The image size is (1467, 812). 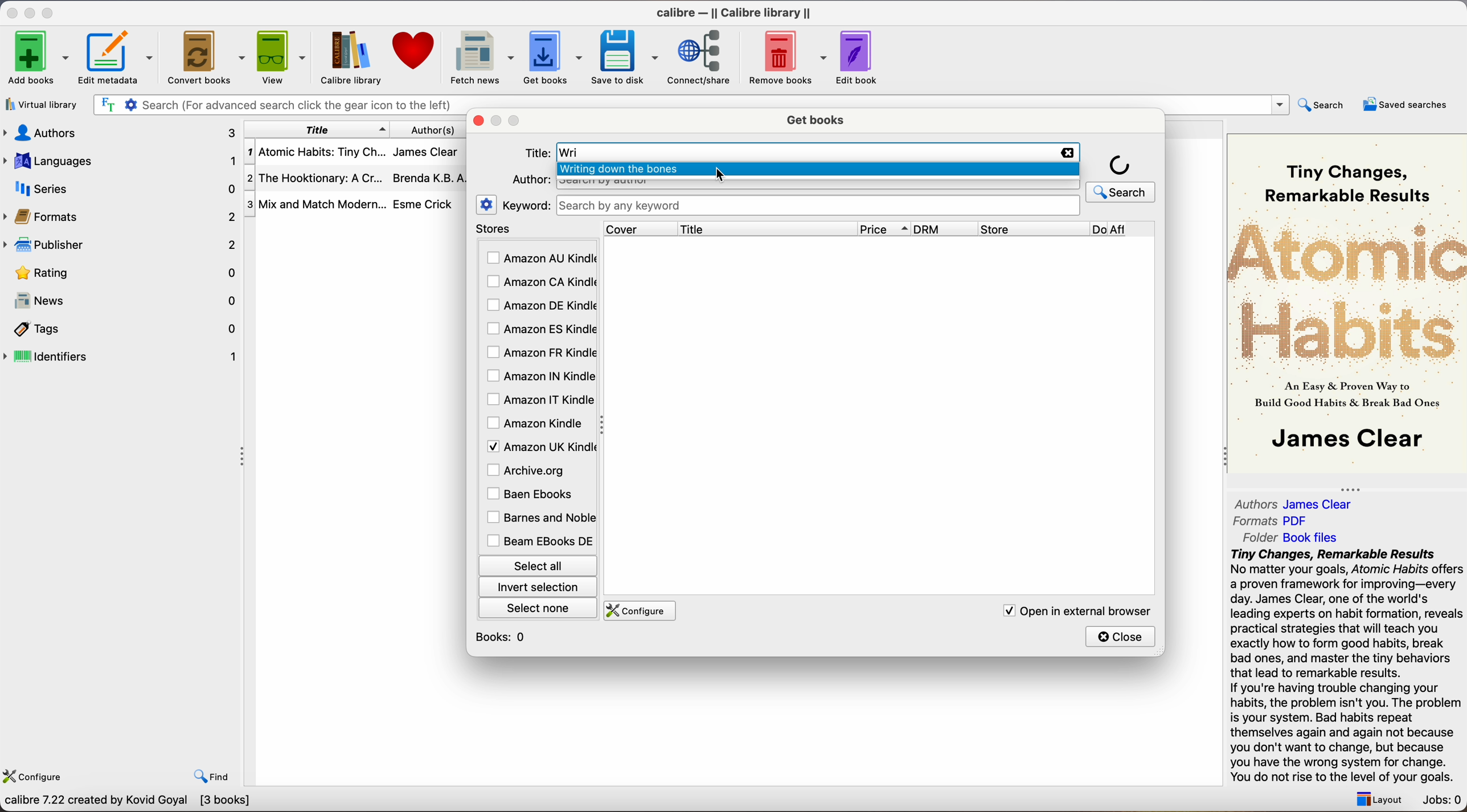 What do you see at coordinates (538, 518) in the screenshot?
I see `barnes and noble` at bounding box center [538, 518].